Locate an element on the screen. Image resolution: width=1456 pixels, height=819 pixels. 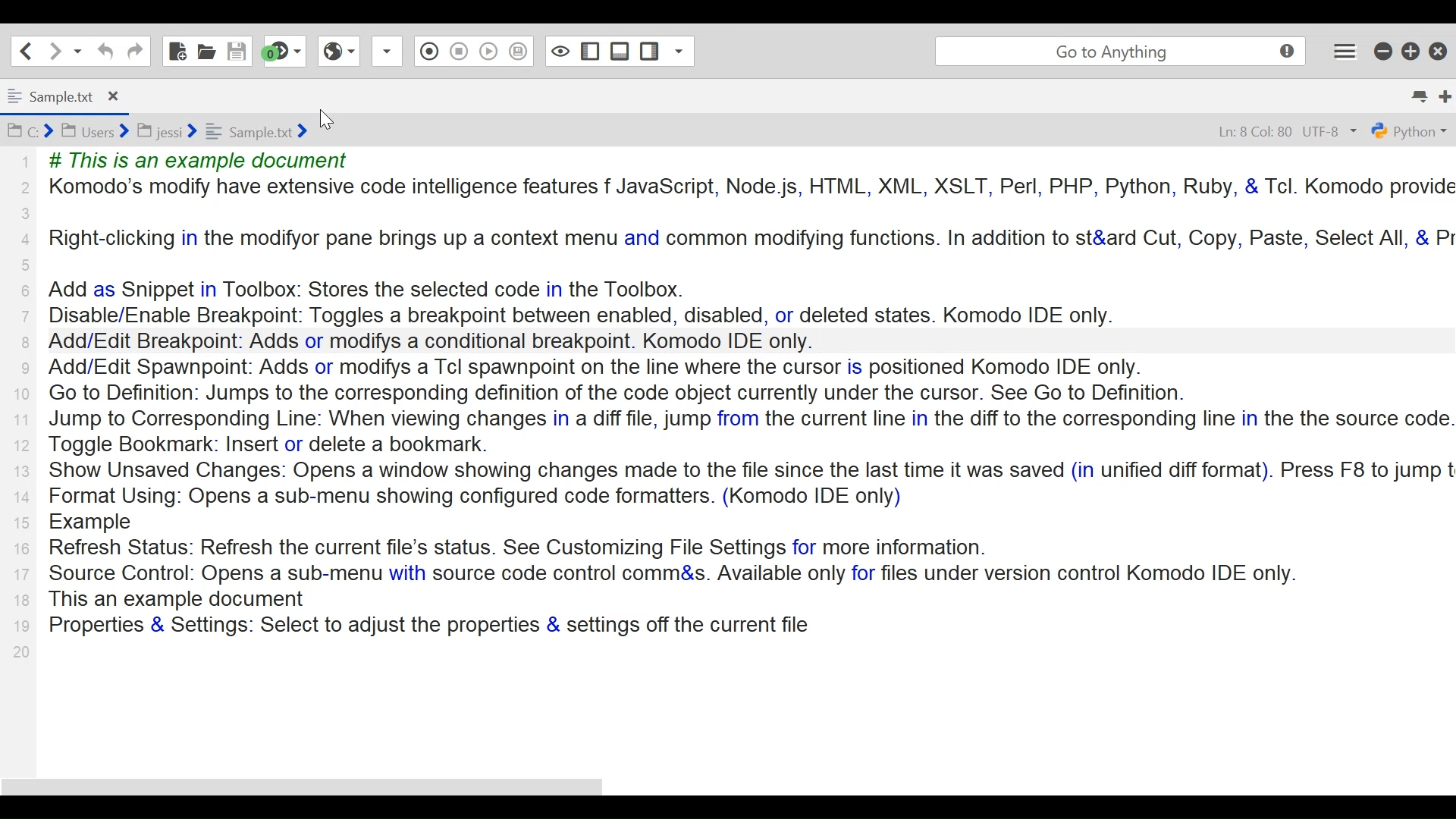
Show/Hide Right Pane is located at coordinates (649, 51).